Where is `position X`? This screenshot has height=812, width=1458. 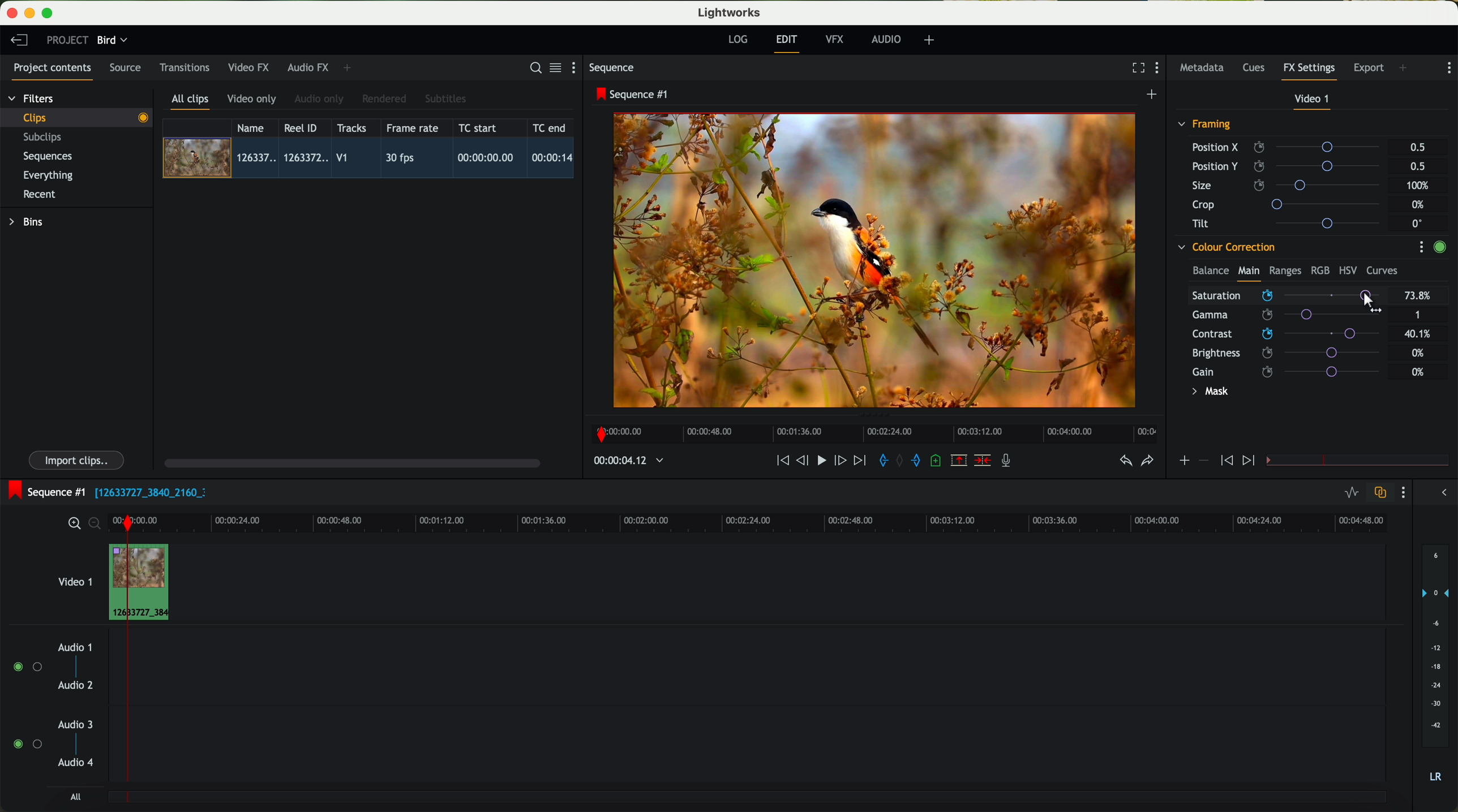
position X is located at coordinates (1290, 147).